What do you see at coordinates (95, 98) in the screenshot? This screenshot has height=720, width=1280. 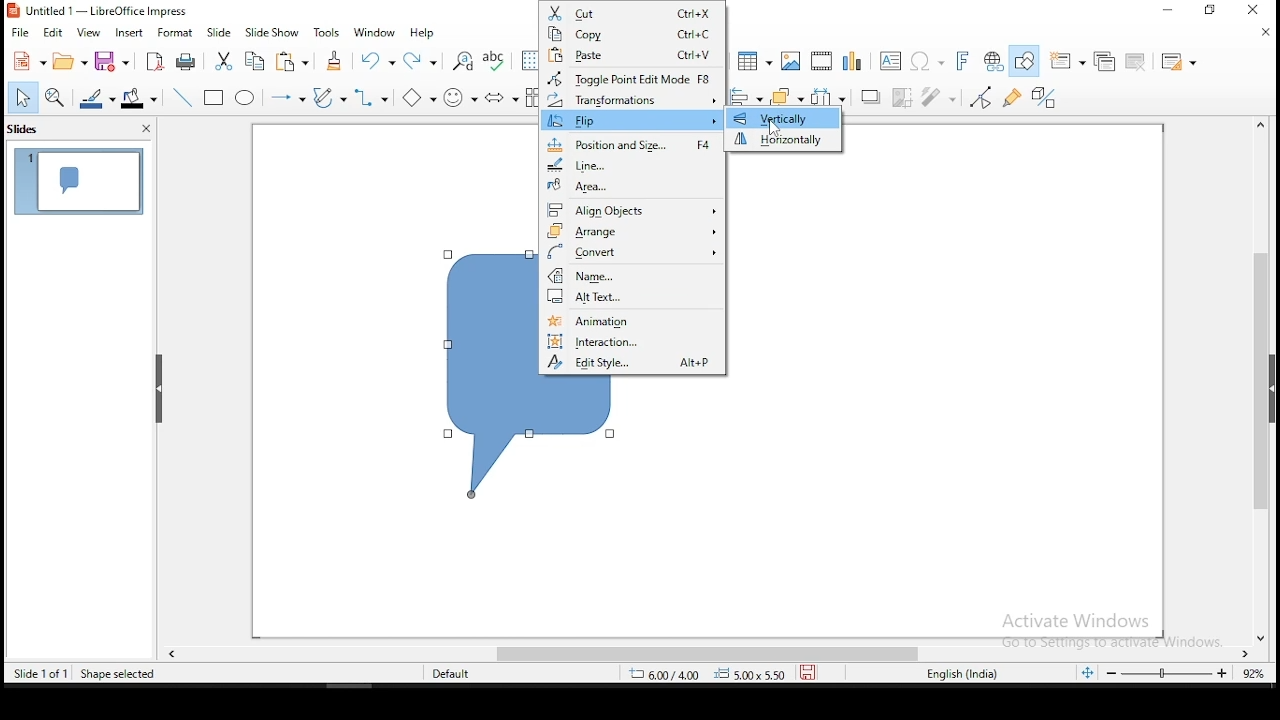 I see `line color` at bounding box center [95, 98].